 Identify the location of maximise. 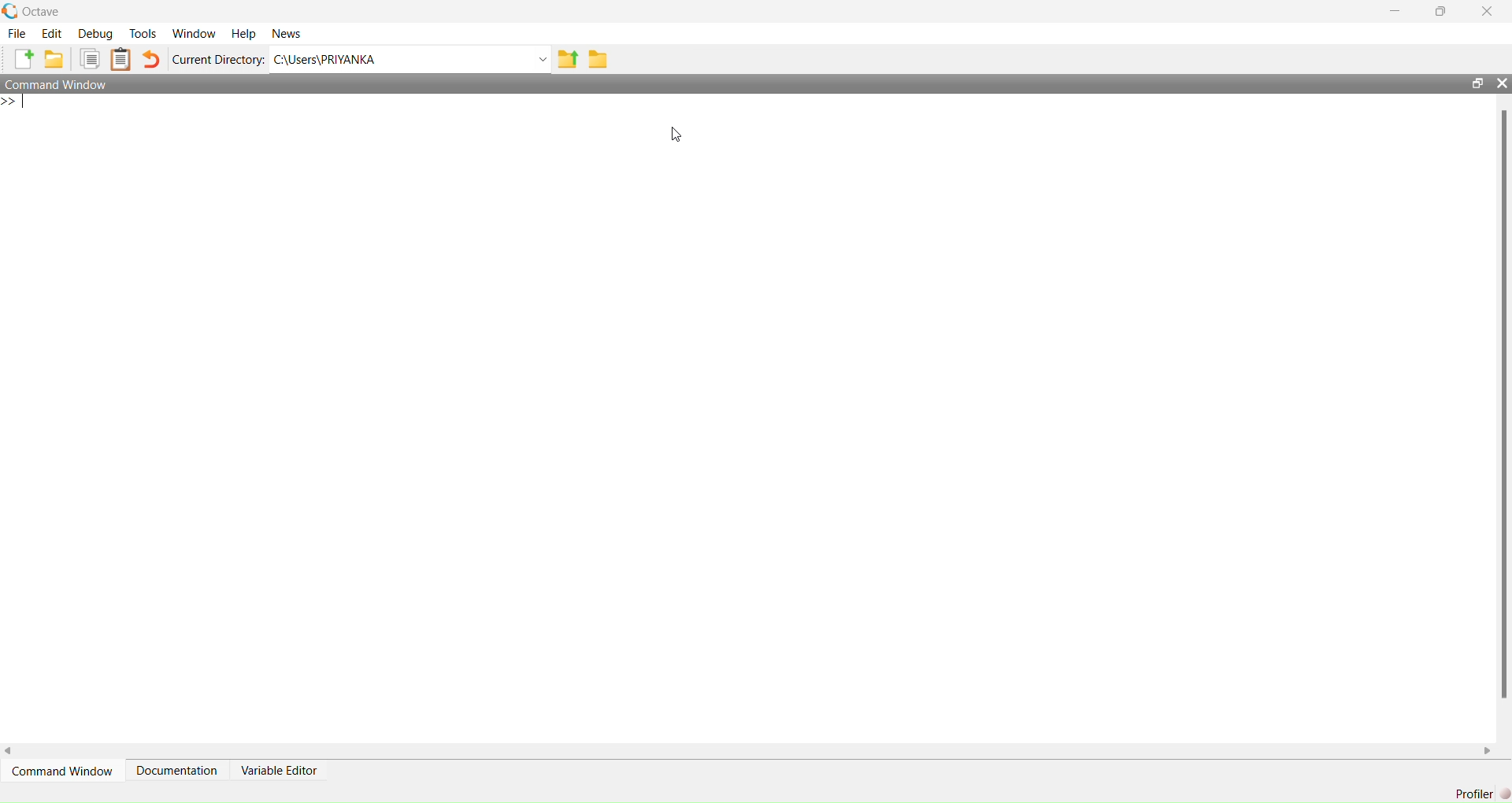
(1441, 12).